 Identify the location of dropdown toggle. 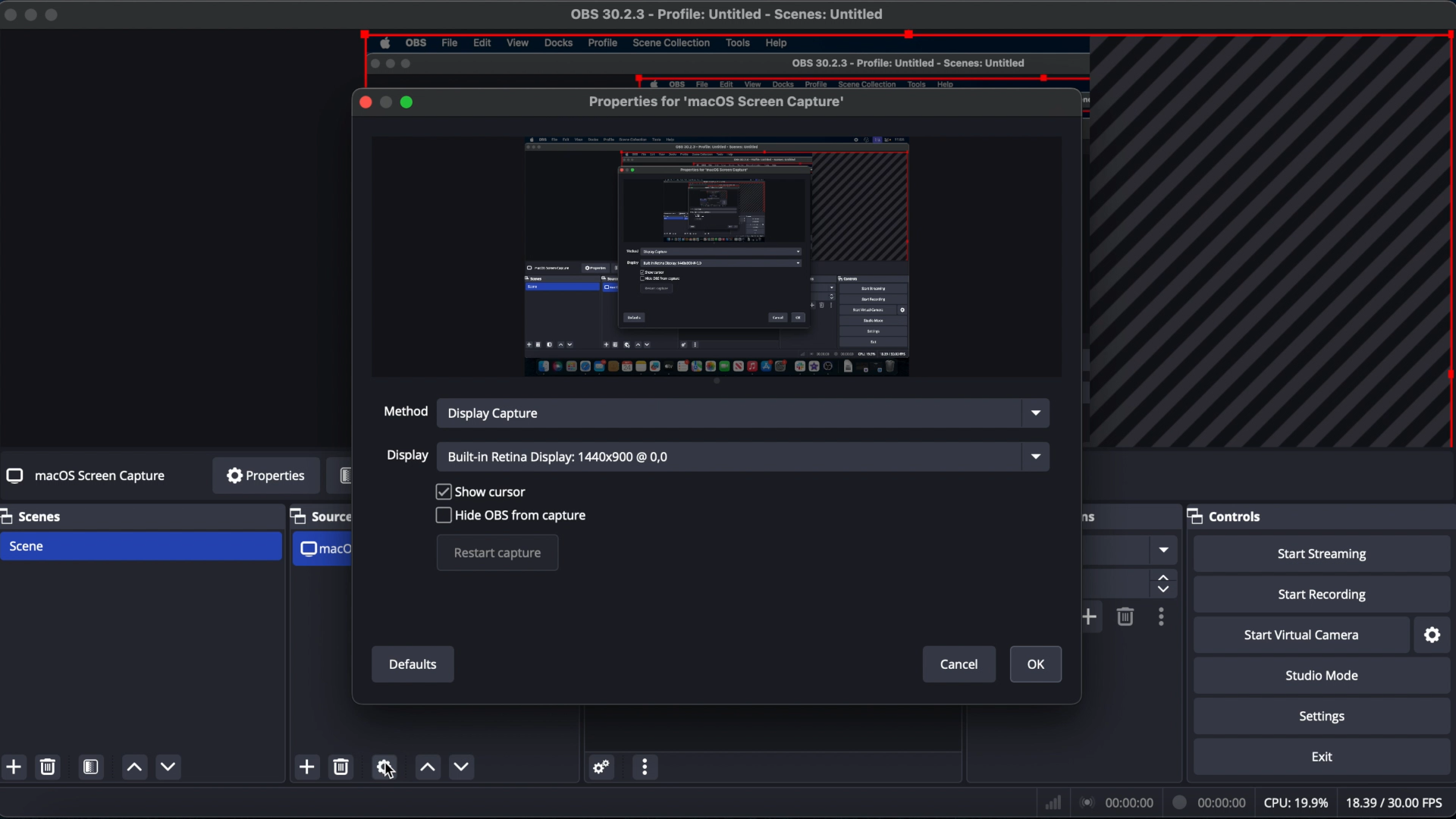
(1034, 413).